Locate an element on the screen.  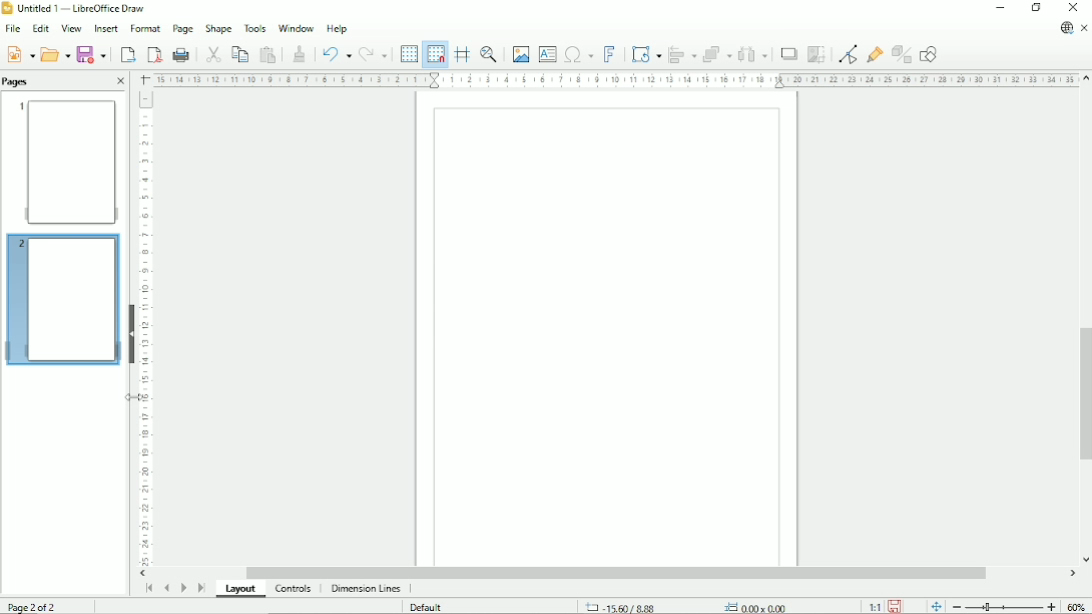
Zoom factor is located at coordinates (1077, 606).